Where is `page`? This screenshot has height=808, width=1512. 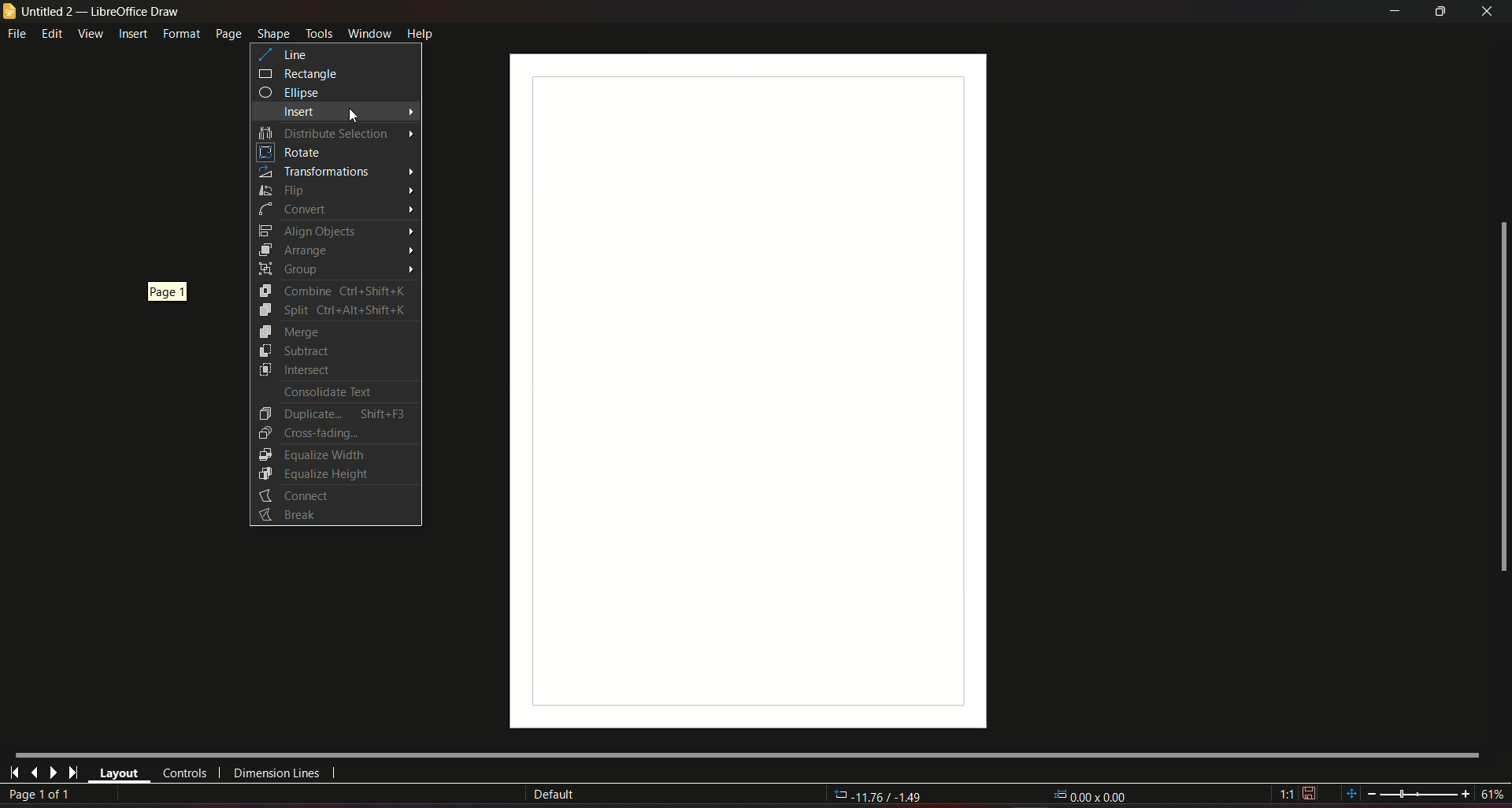
page is located at coordinates (227, 34).